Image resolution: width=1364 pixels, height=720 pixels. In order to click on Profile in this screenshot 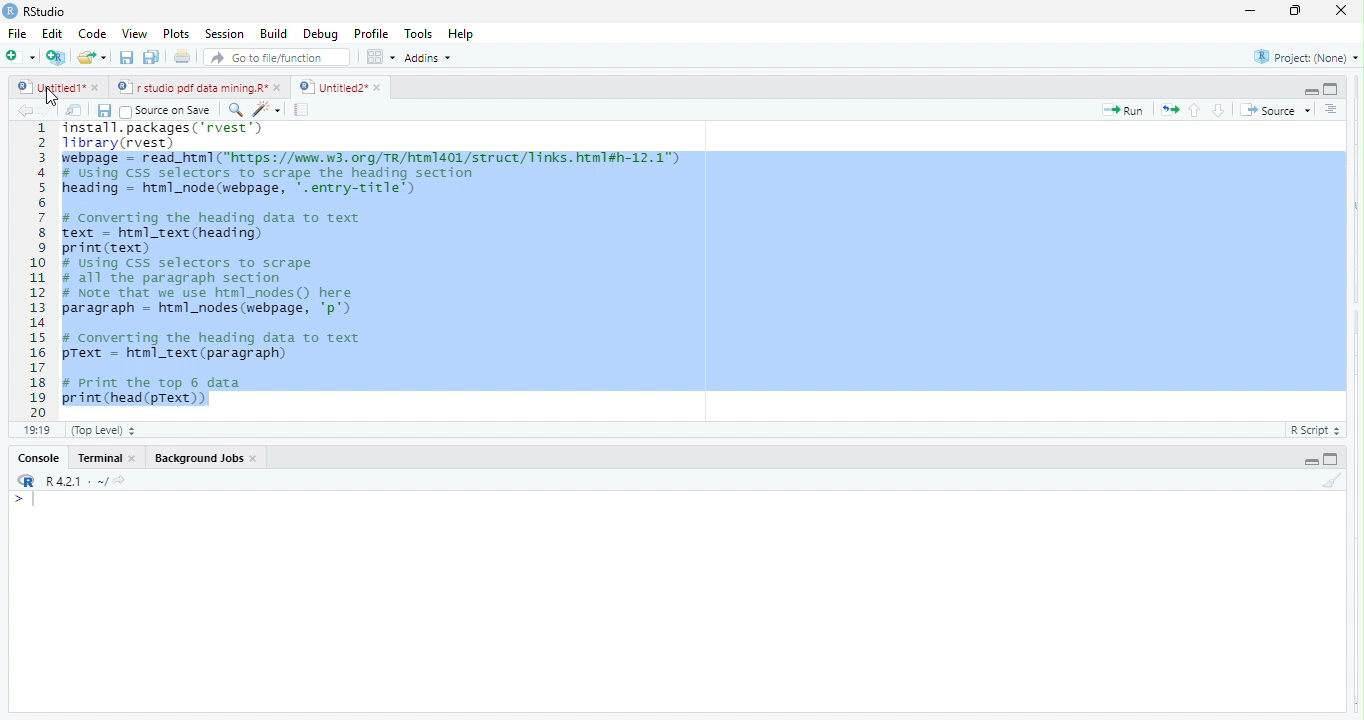, I will do `click(375, 35)`.